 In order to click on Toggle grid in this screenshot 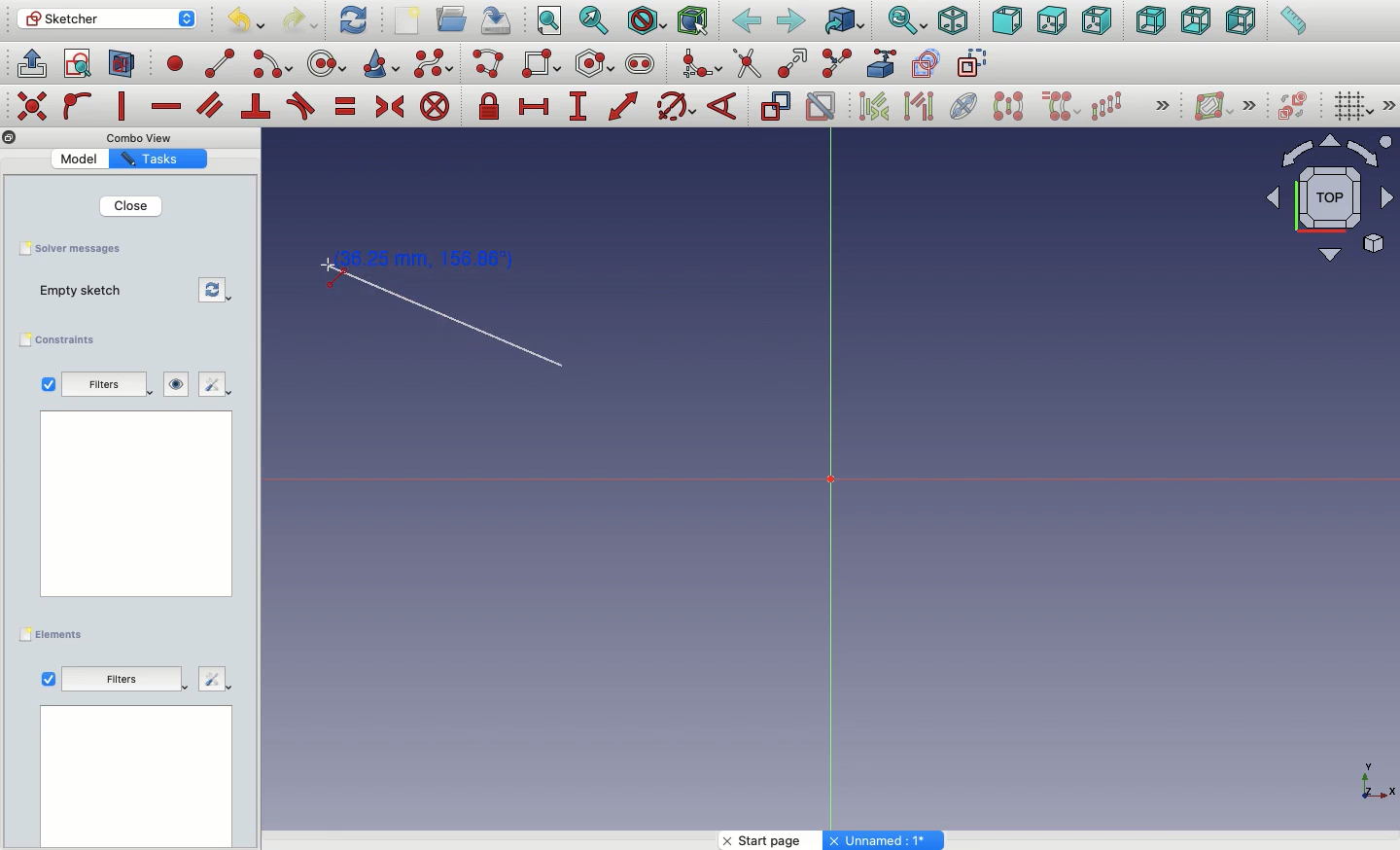, I will do `click(1354, 108)`.